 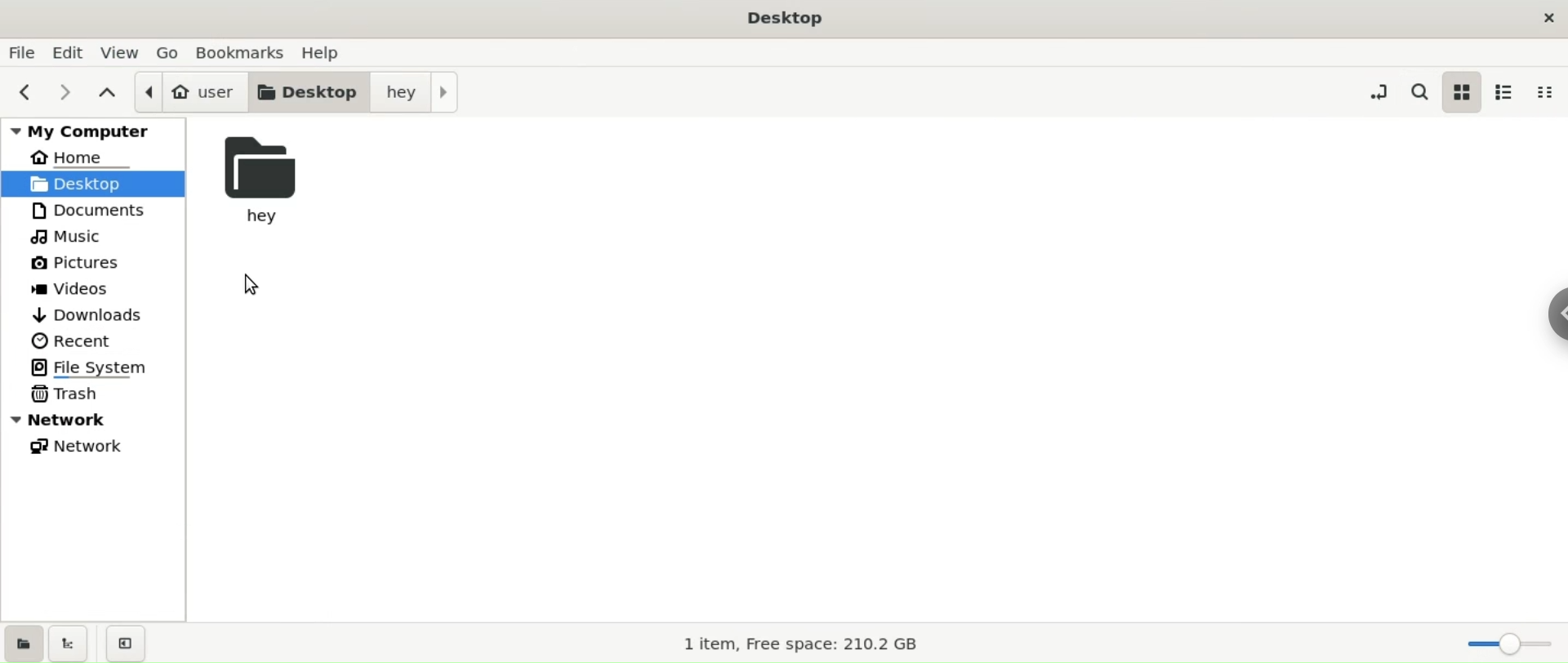 I want to click on toggle loction entry, so click(x=1379, y=90).